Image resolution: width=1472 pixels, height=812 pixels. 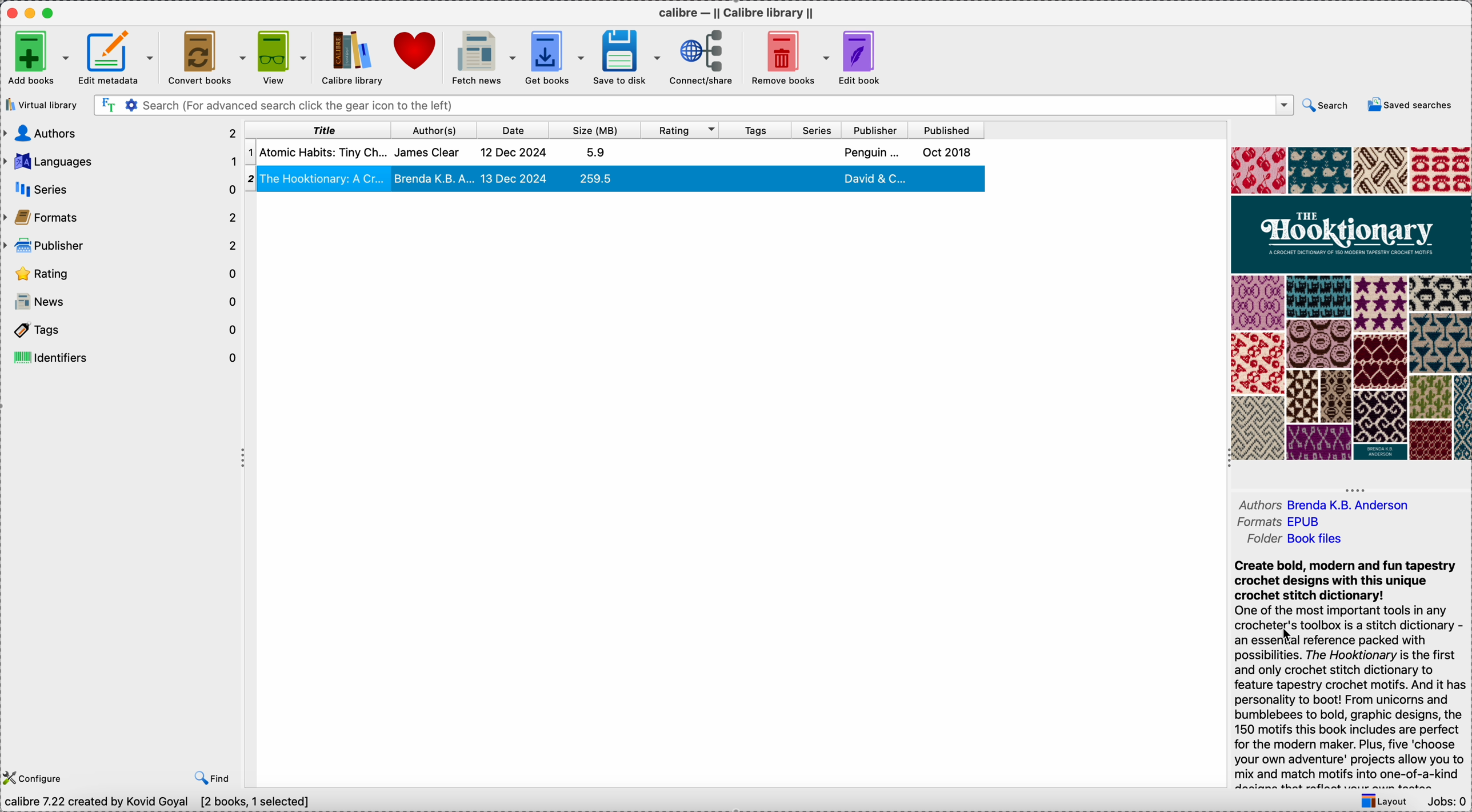 What do you see at coordinates (119, 216) in the screenshot?
I see `formats` at bounding box center [119, 216].